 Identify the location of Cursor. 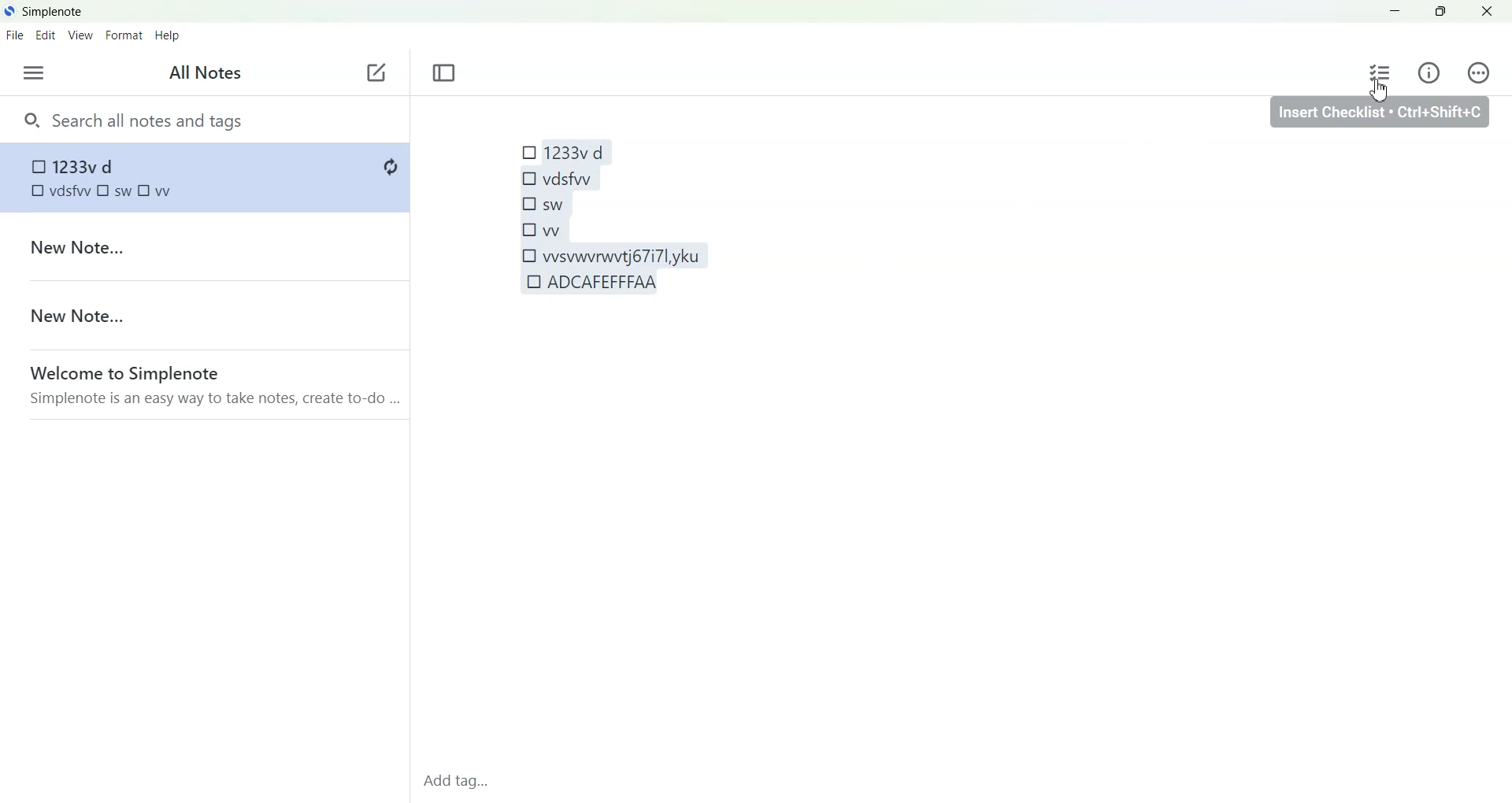
(1377, 95).